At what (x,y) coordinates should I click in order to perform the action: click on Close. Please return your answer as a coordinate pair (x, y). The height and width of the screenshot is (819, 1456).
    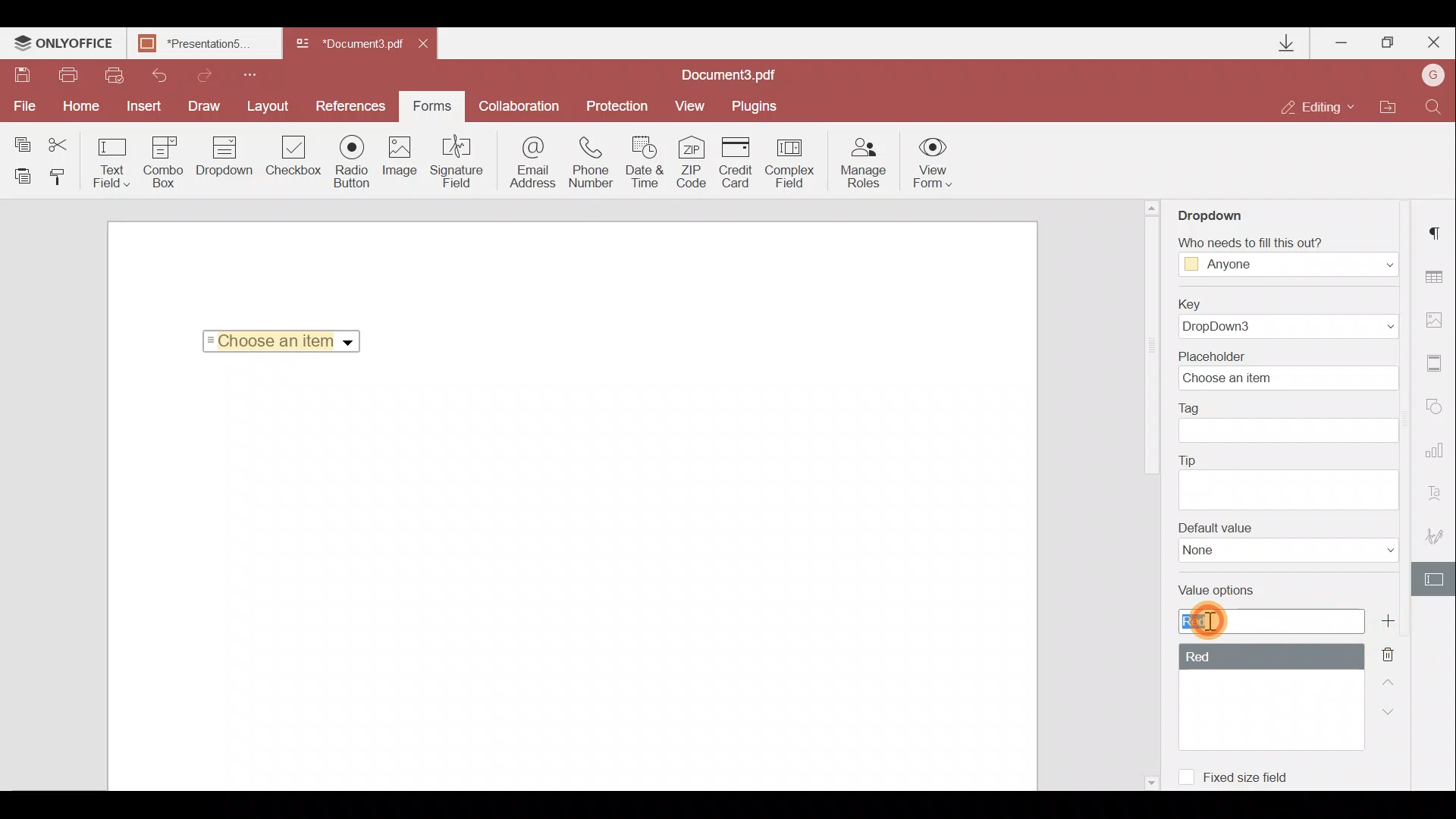
    Looking at the image, I should click on (1432, 43).